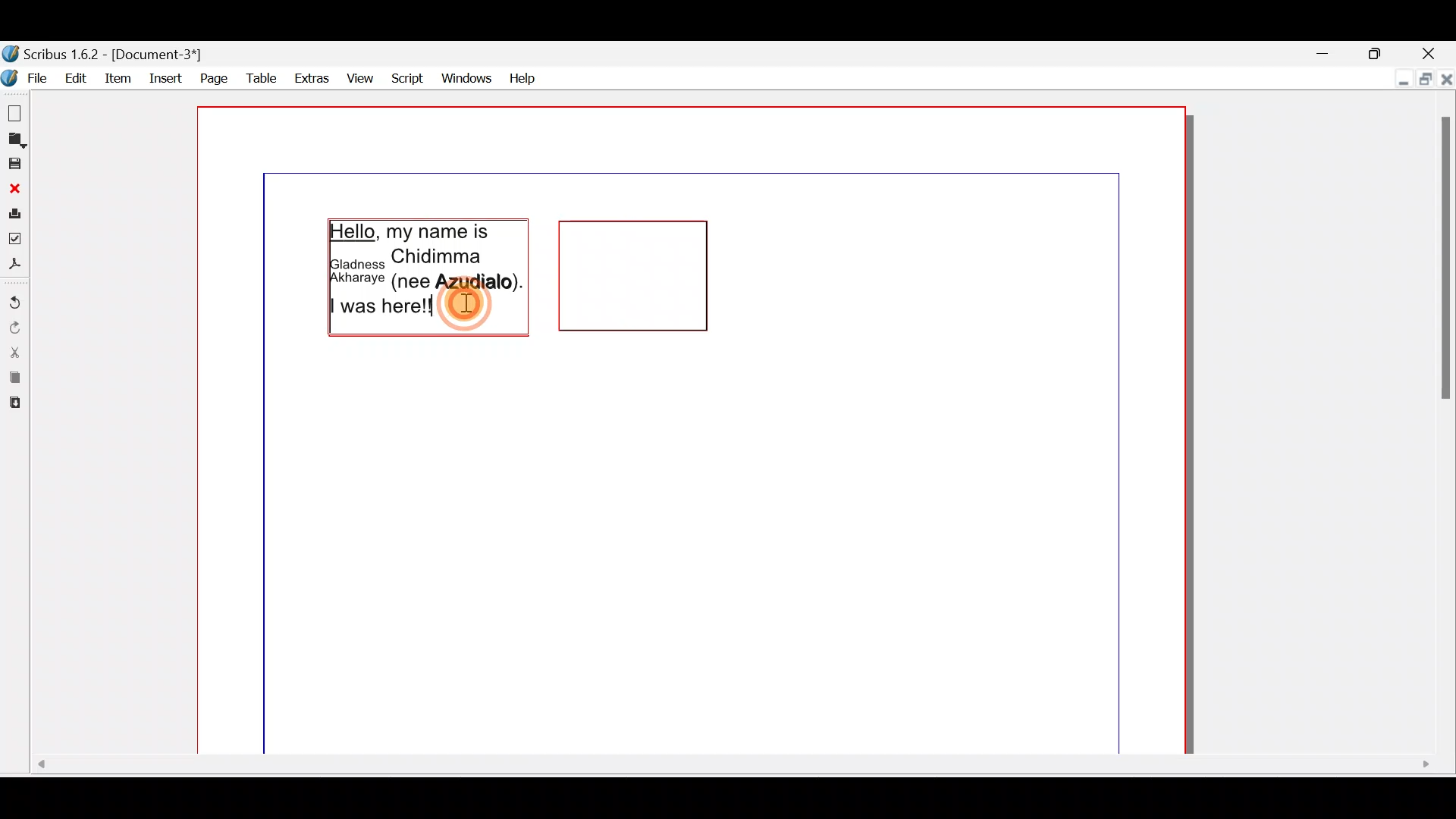  I want to click on View, so click(362, 76).